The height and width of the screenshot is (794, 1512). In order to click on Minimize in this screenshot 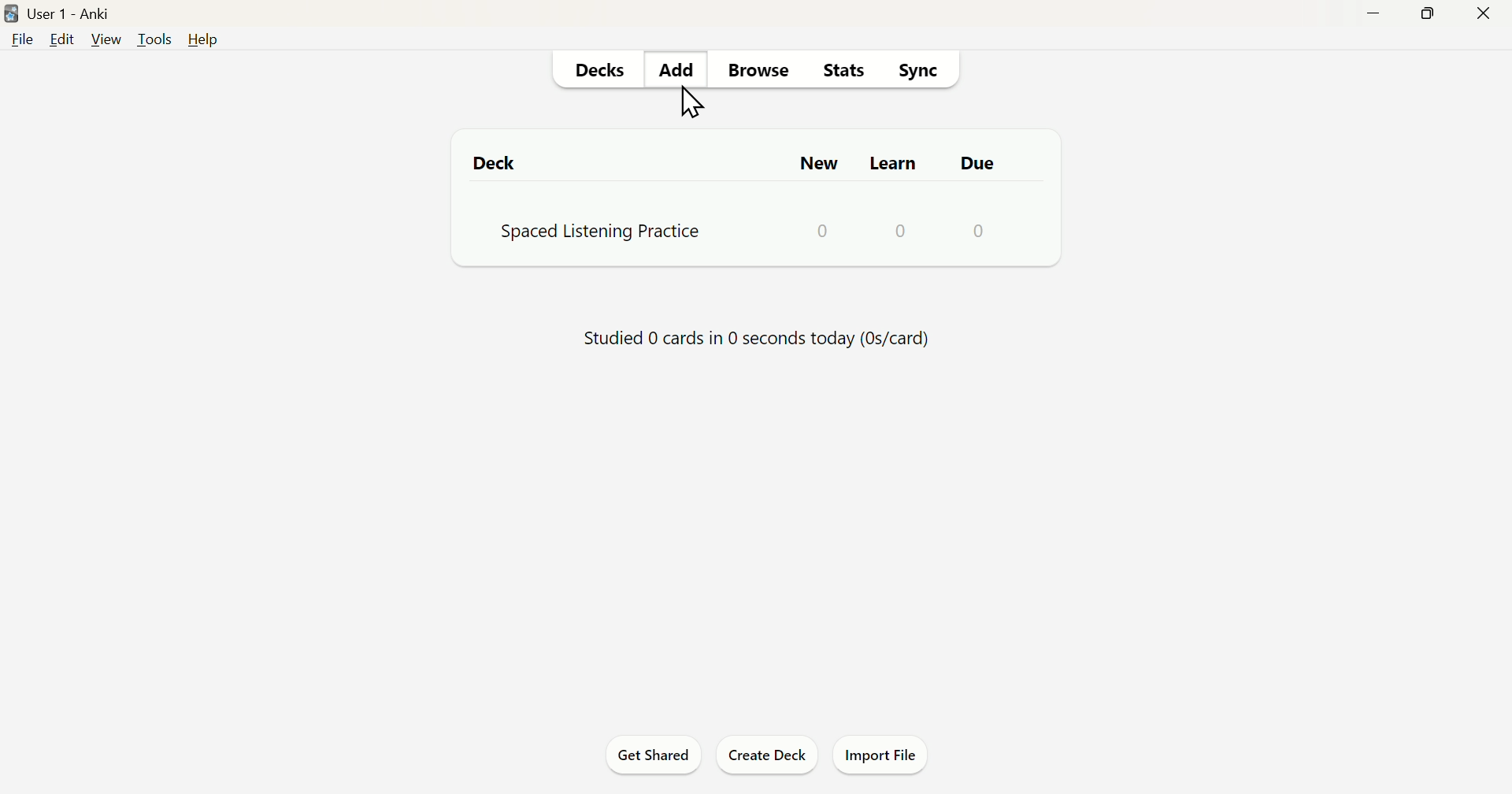, I will do `click(1374, 17)`.